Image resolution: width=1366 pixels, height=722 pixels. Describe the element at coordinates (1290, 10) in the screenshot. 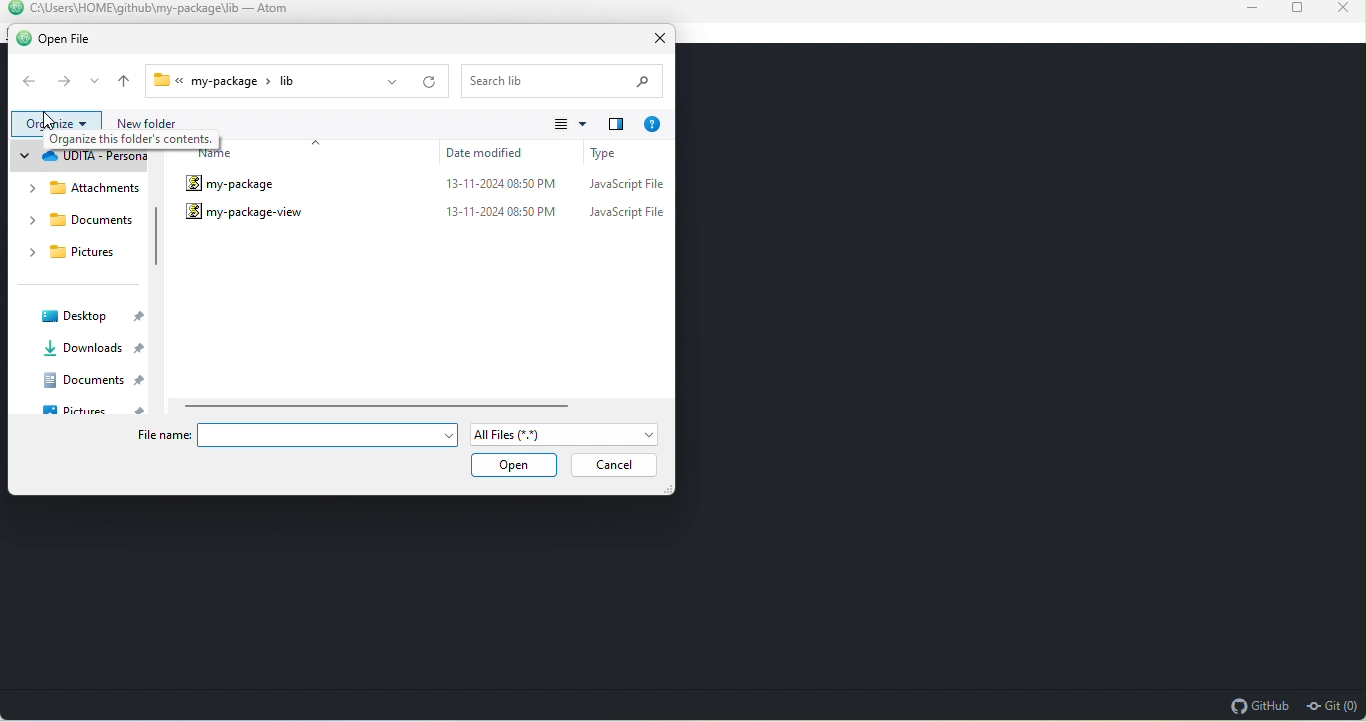

I see `maximize` at that location.